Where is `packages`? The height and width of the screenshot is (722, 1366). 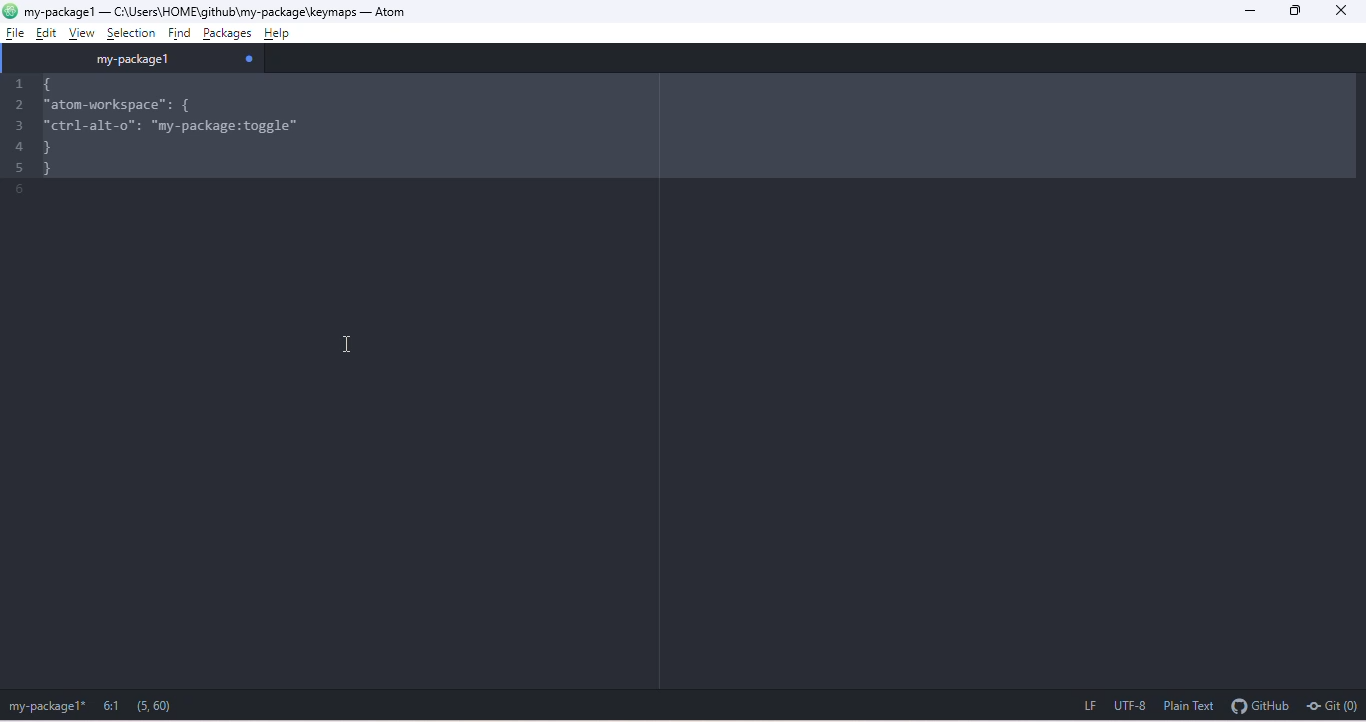
packages is located at coordinates (228, 31).